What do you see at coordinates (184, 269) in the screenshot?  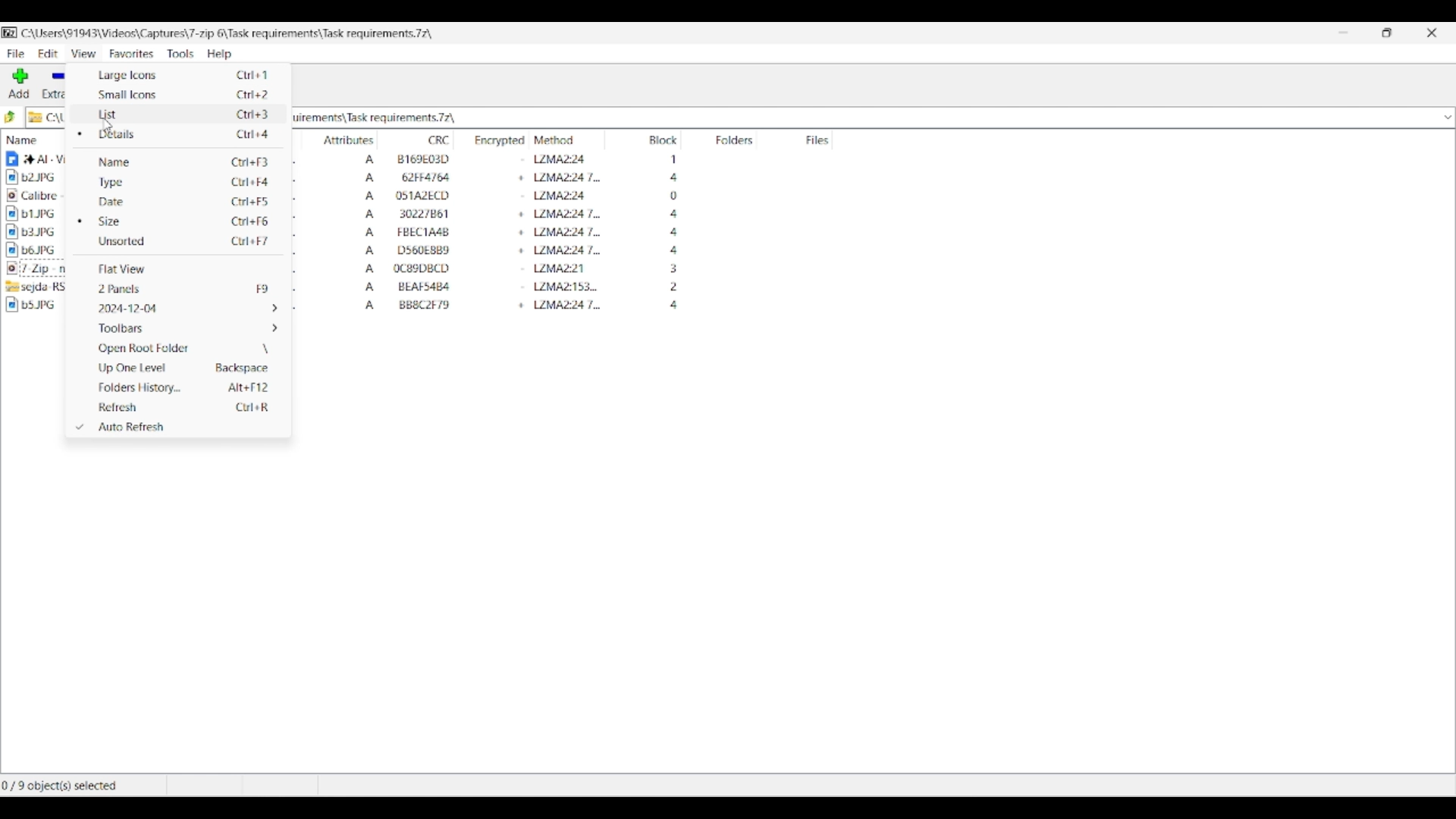 I see `Flat view` at bounding box center [184, 269].